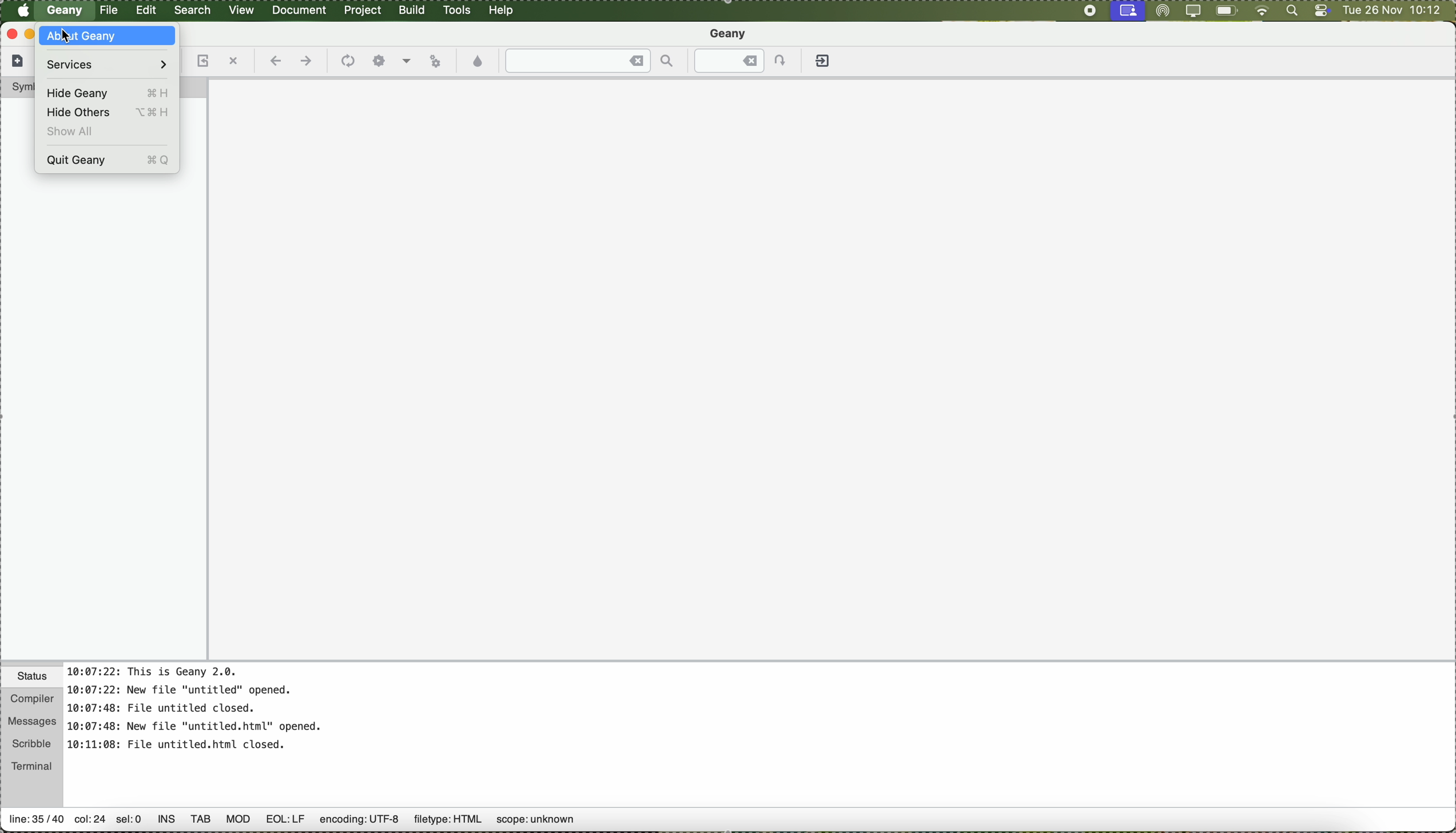  What do you see at coordinates (238, 823) in the screenshot?
I see `` at bounding box center [238, 823].